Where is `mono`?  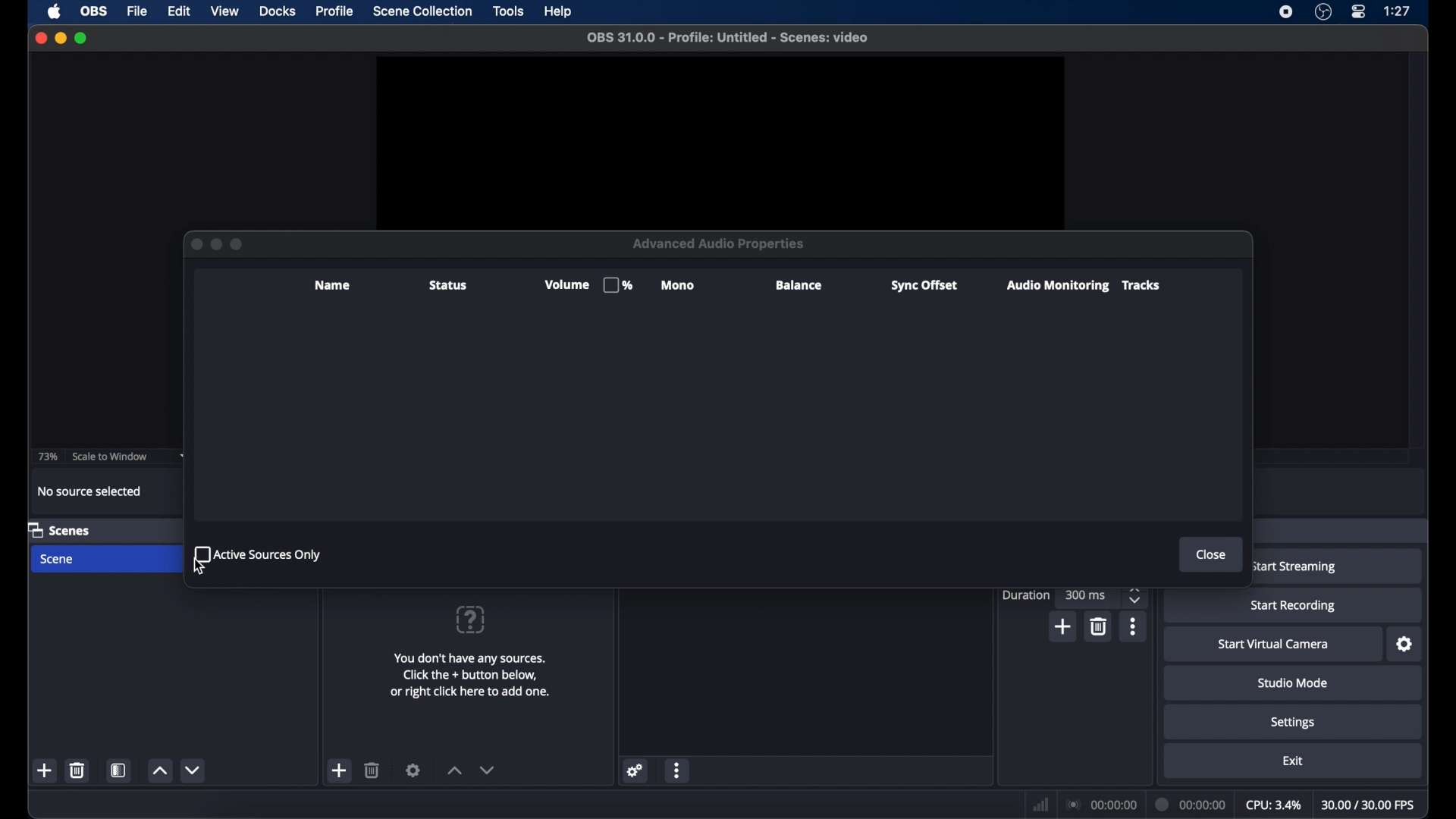
mono is located at coordinates (679, 286).